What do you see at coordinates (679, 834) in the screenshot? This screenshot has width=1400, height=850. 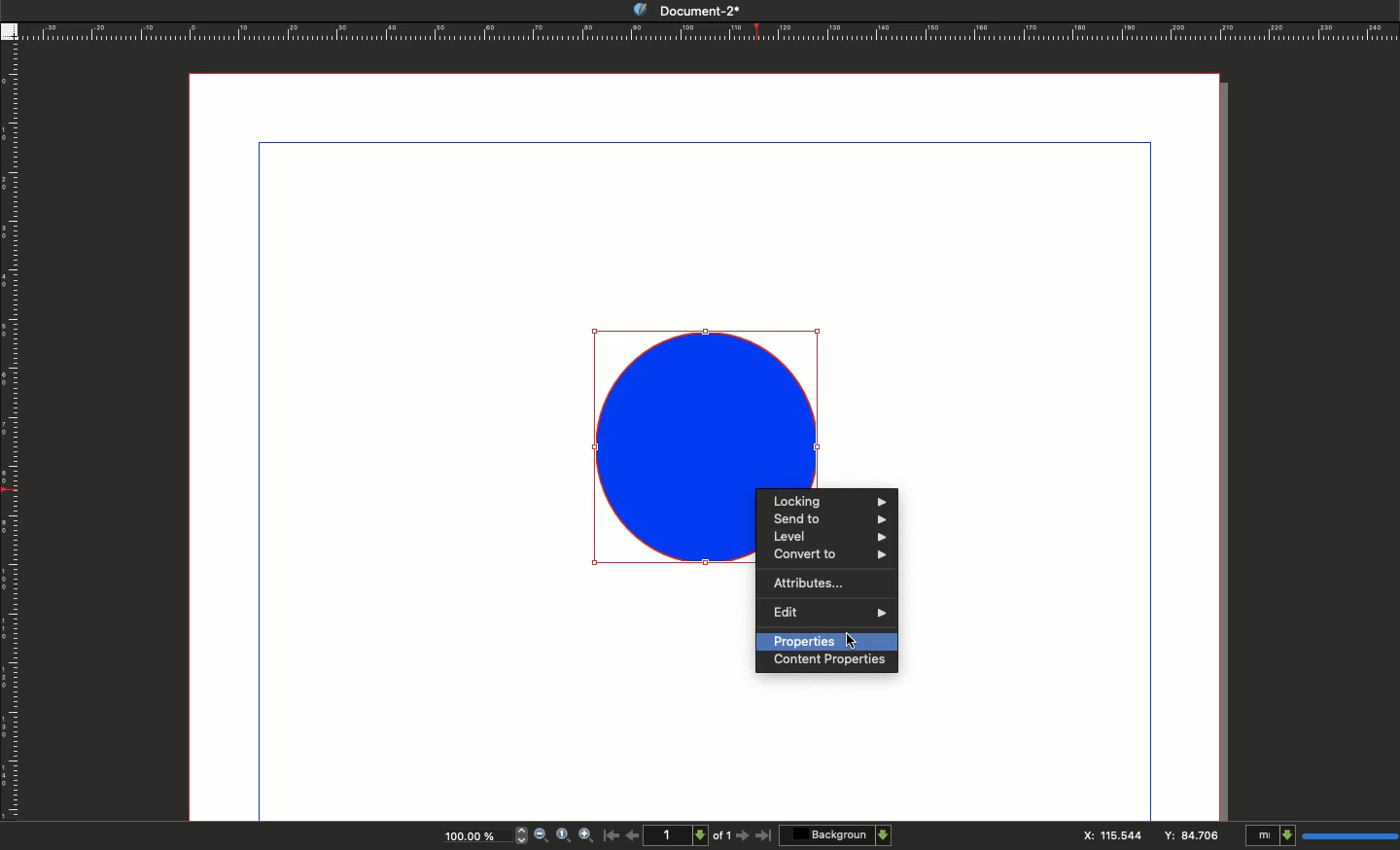 I see `1` at bounding box center [679, 834].